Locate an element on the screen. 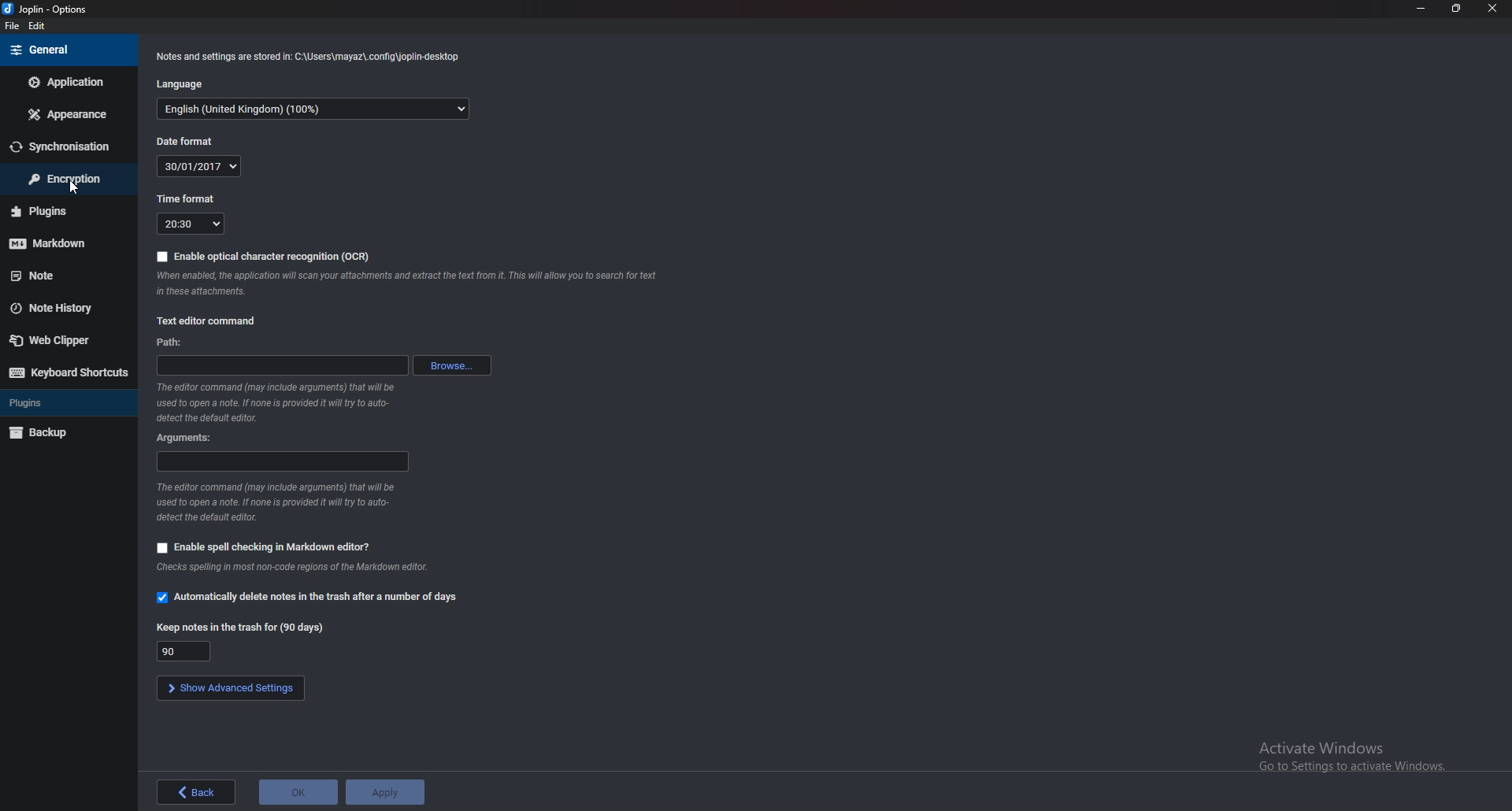 The image size is (1512, 811).  is located at coordinates (1343, 757).